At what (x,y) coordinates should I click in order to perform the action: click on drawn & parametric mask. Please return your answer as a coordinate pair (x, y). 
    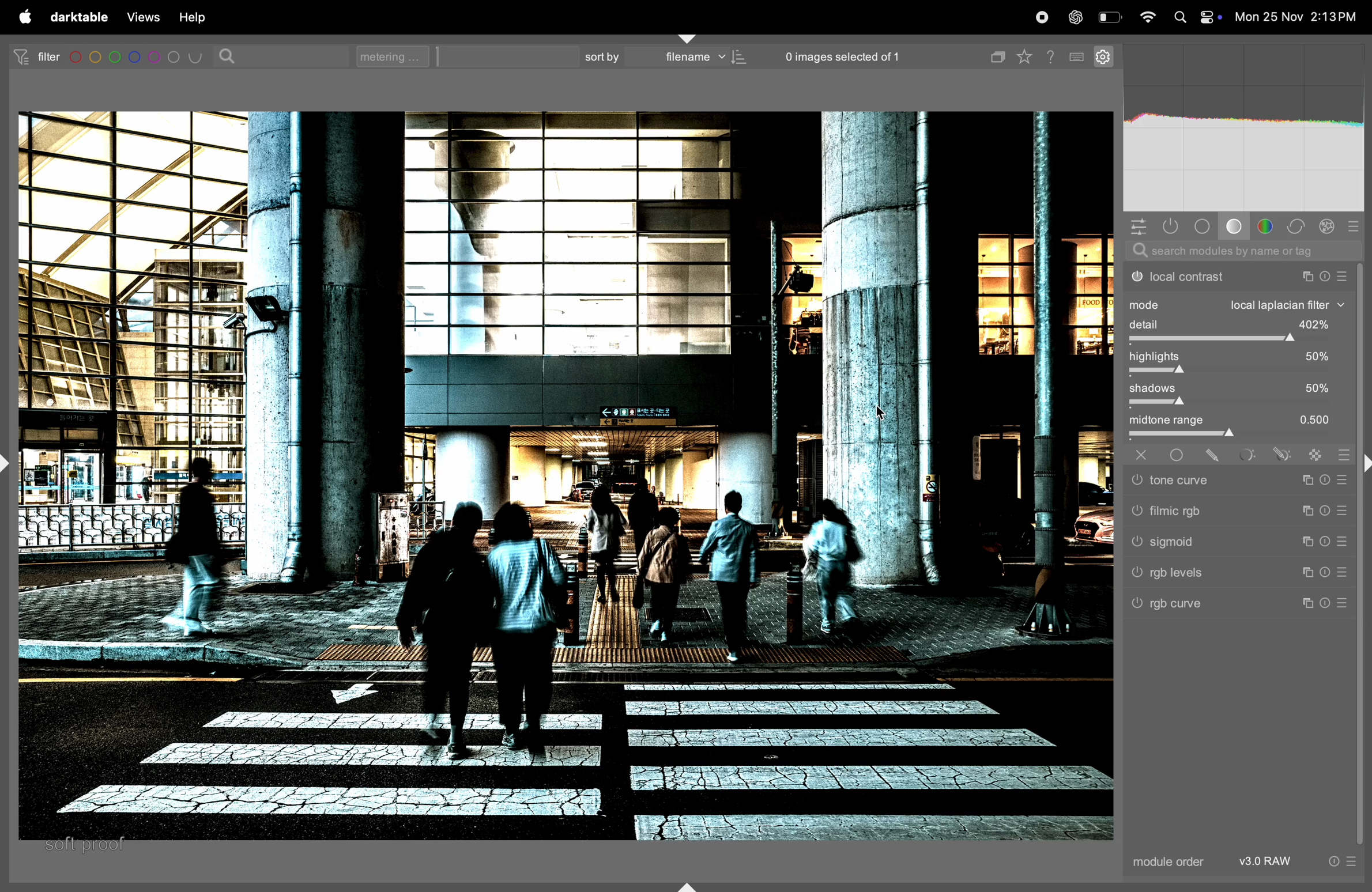
    Looking at the image, I should click on (1281, 456).